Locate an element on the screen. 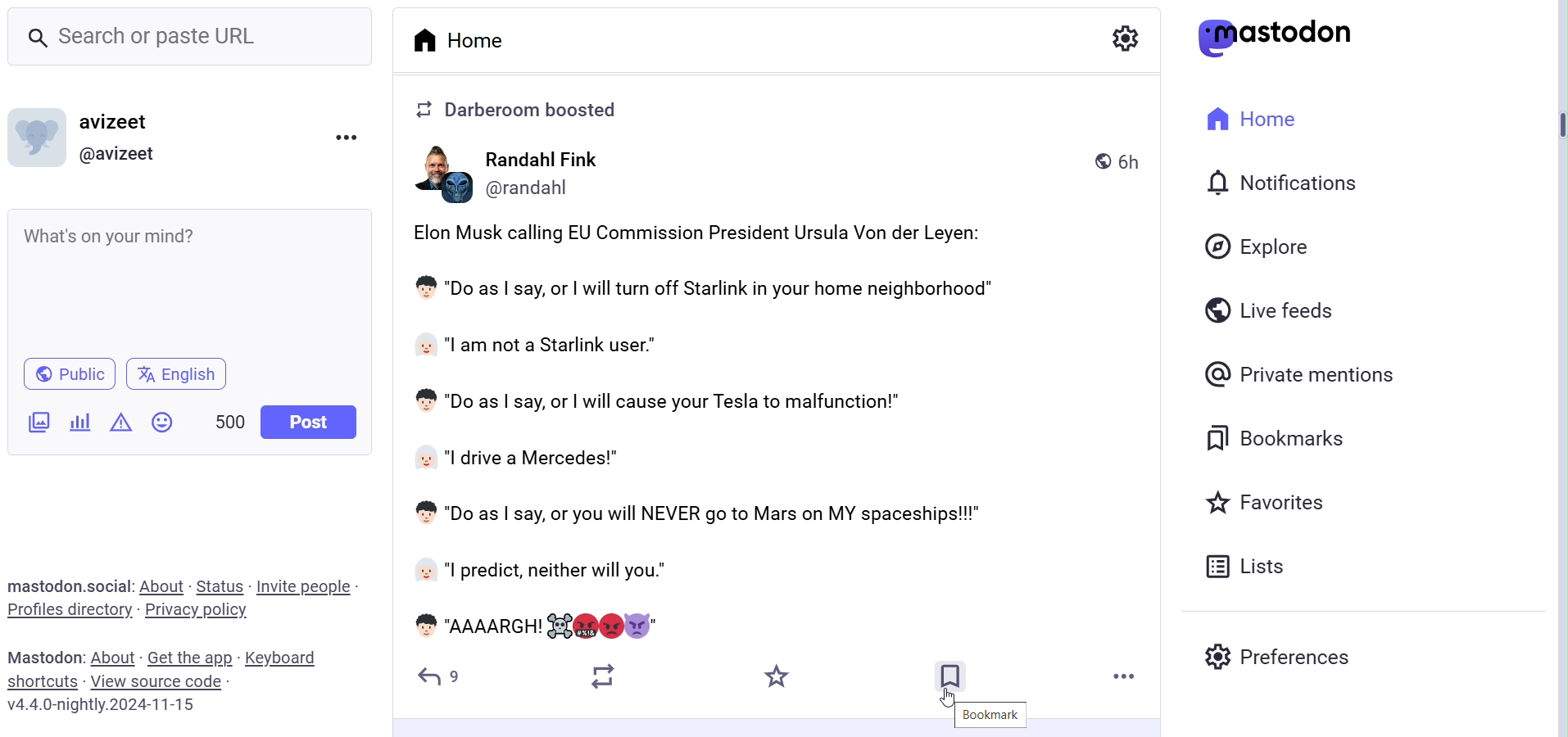 The height and width of the screenshot is (737, 1568). Get the App is located at coordinates (192, 658).